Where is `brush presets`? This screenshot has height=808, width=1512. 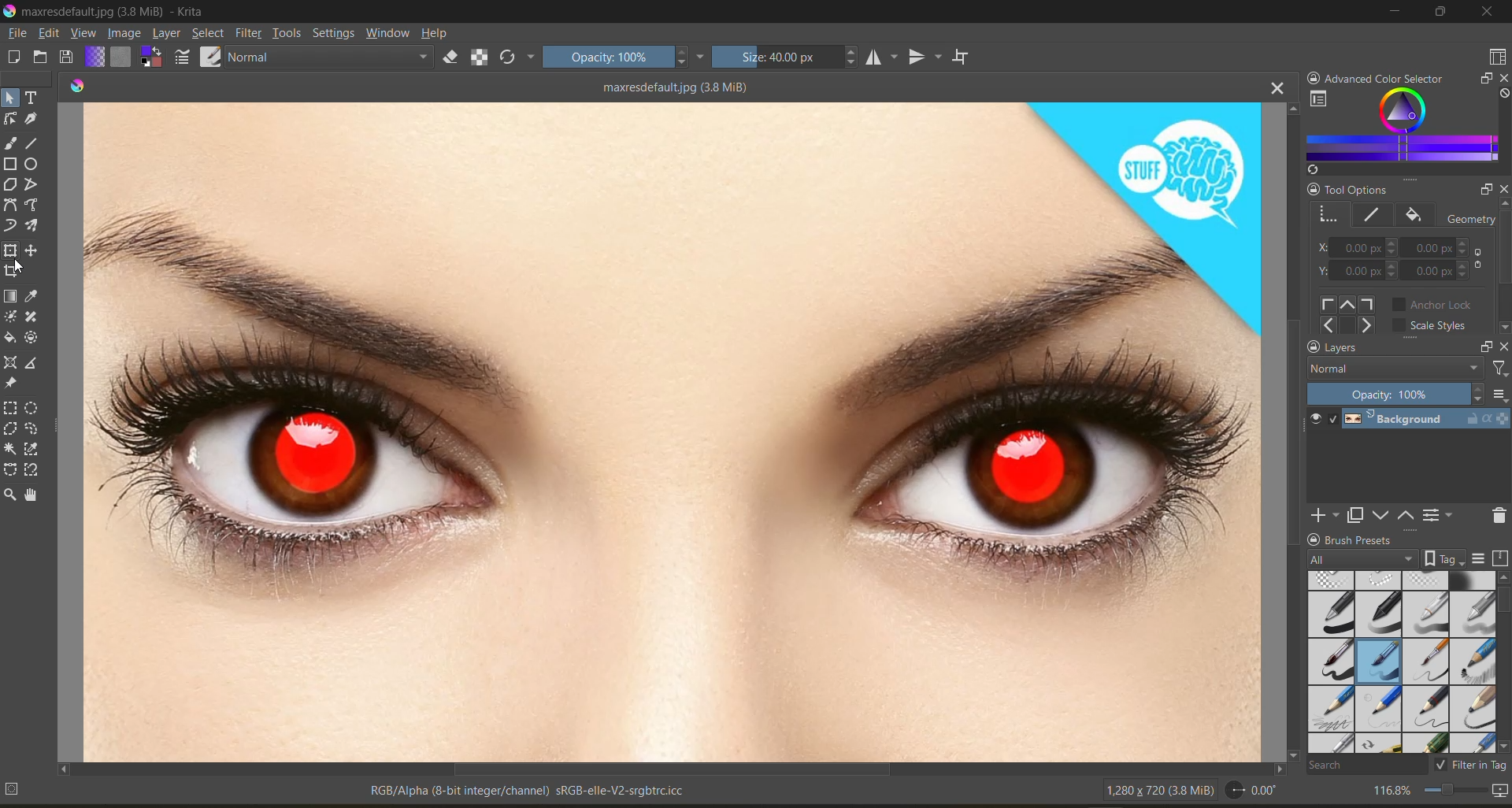 brush presets is located at coordinates (1401, 660).